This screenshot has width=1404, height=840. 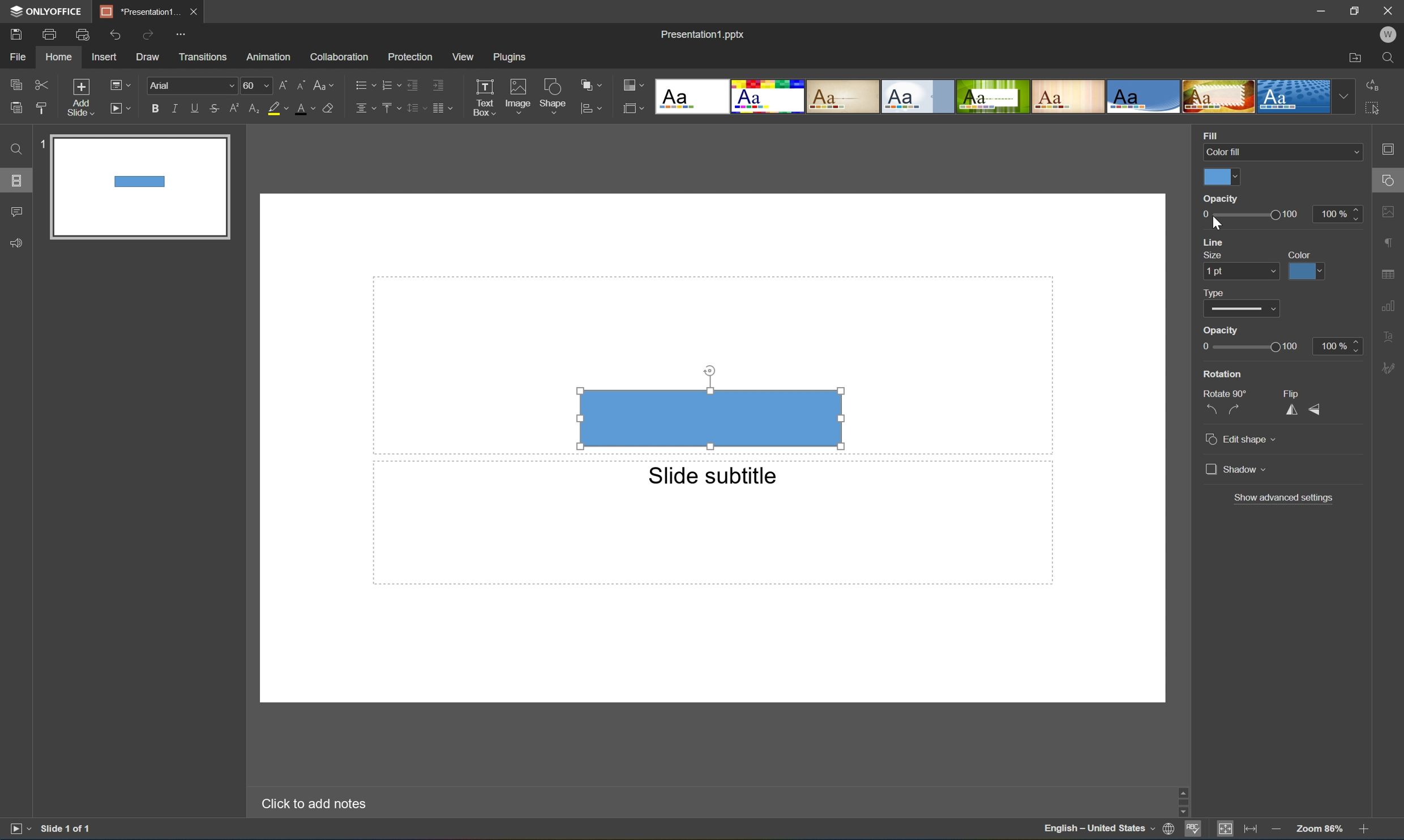 What do you see at coordinates (178, 33) in the screenshot?
I see `Customize quick access toolbar` at bounding box center [178, 33].